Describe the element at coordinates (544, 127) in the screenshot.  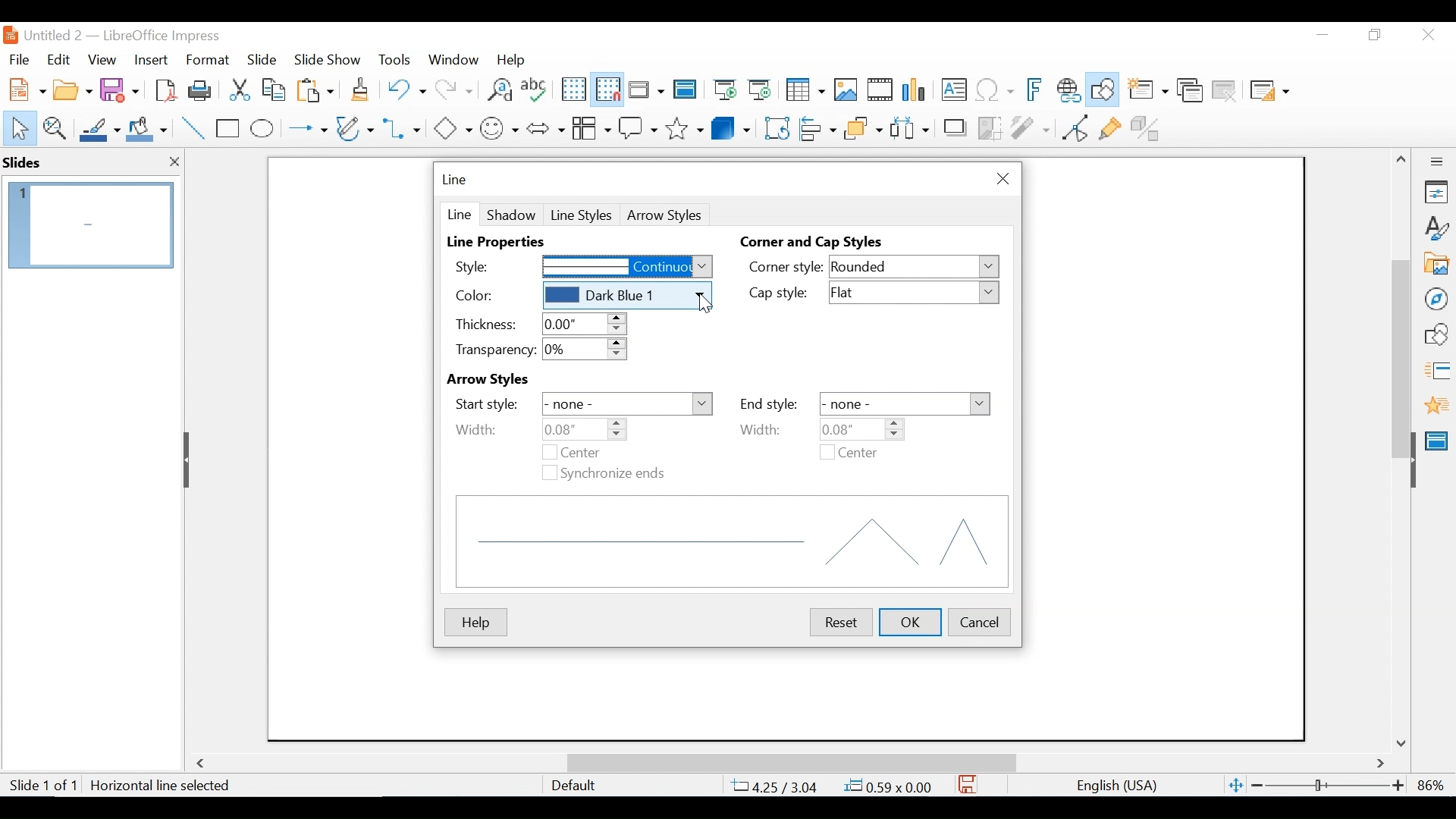
I see `Block Arrows` at that location.